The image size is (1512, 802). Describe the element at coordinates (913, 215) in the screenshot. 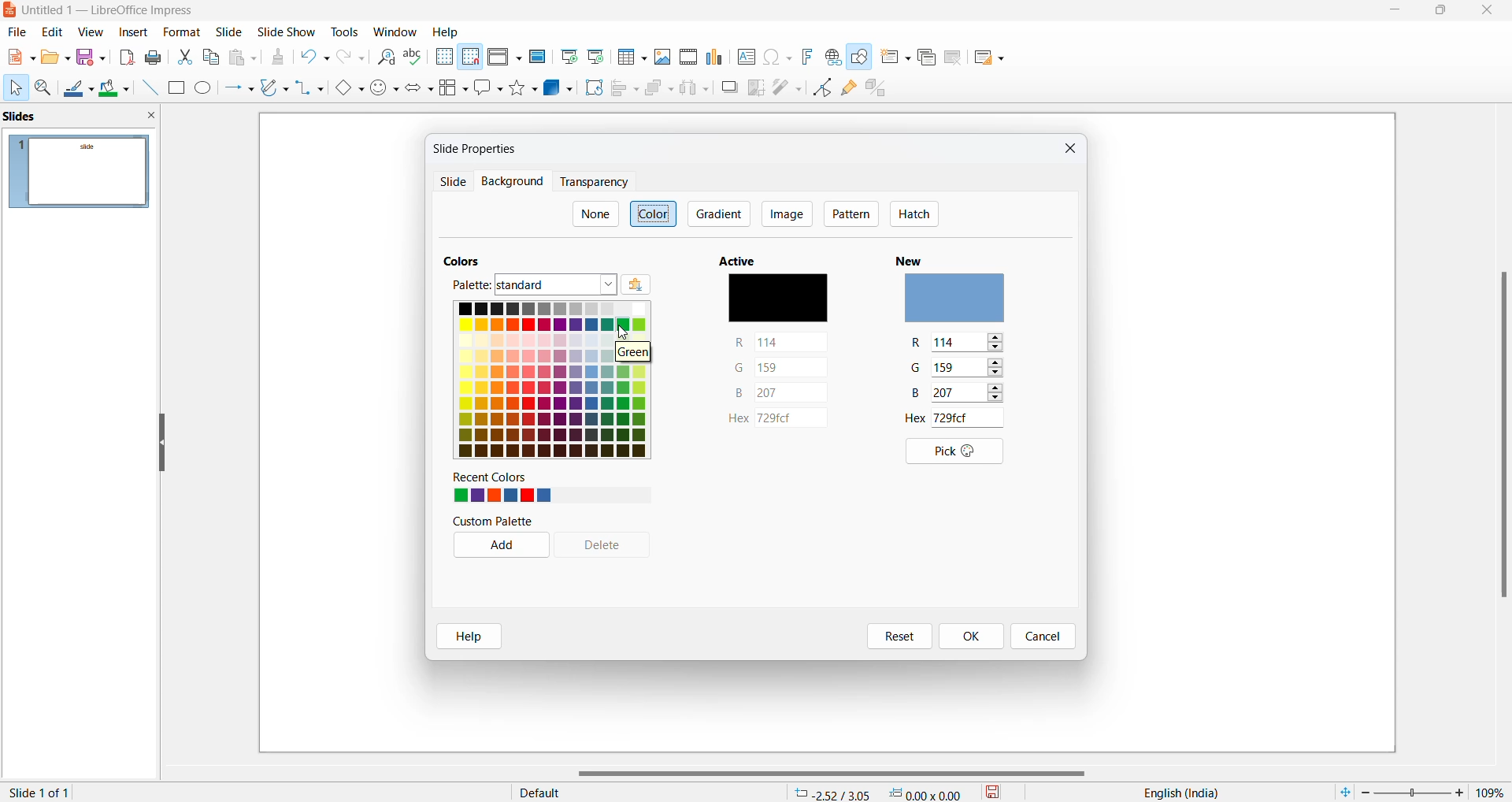

I see `hatch` at that location.